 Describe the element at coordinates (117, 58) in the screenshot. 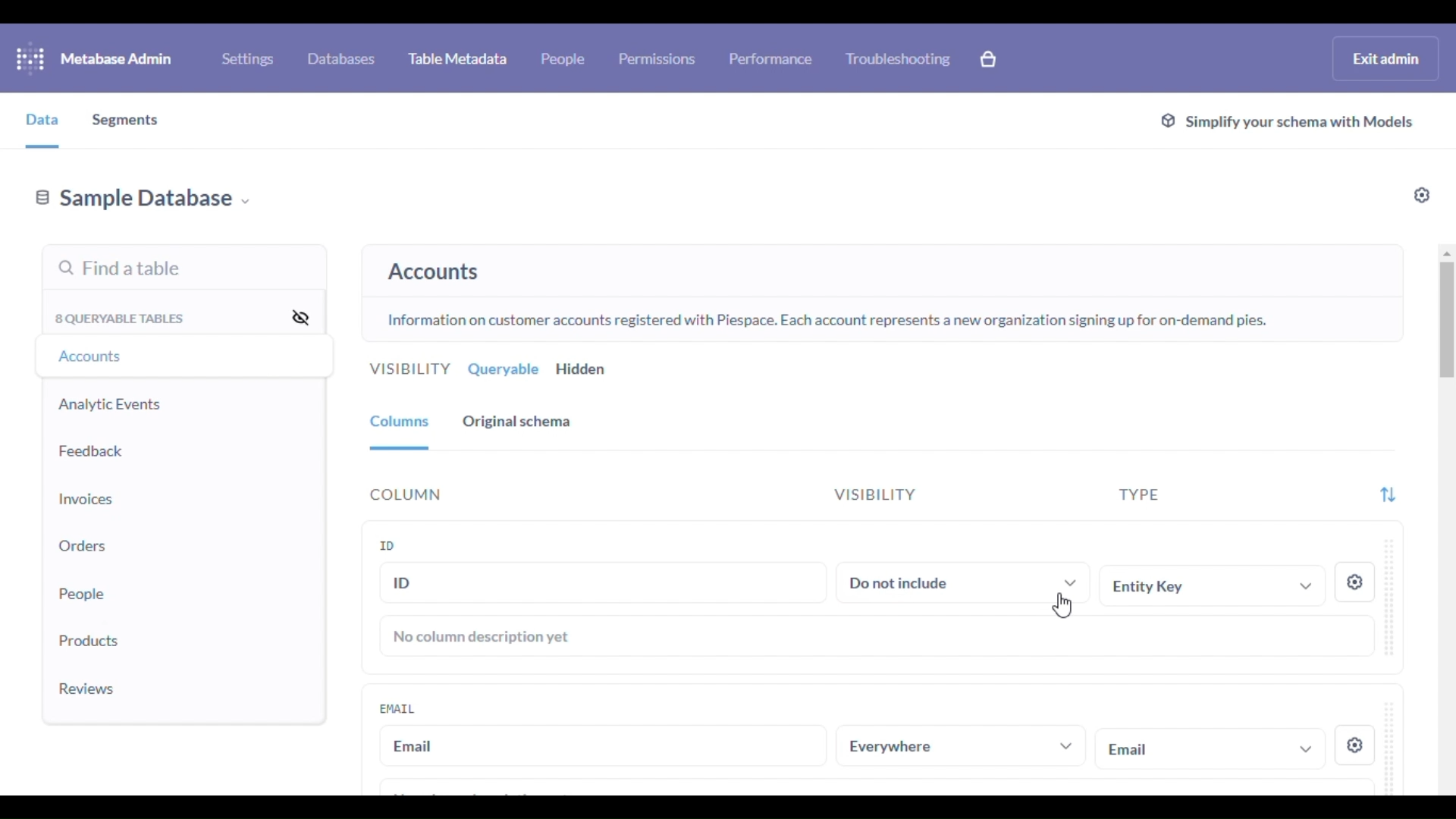

I see `metabase admin` at that location.